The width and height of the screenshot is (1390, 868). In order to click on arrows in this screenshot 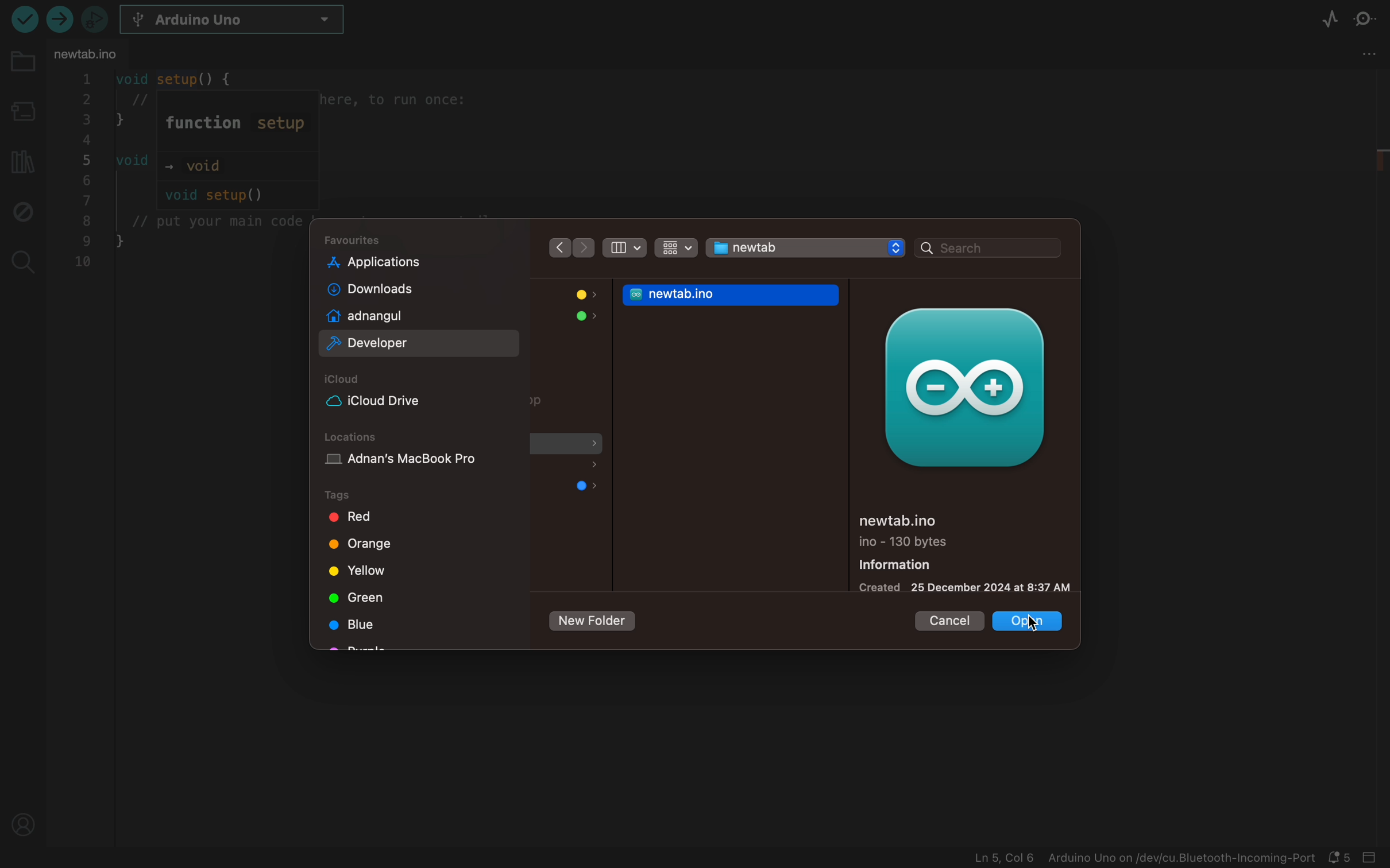, I will do `click(570, 247)`.